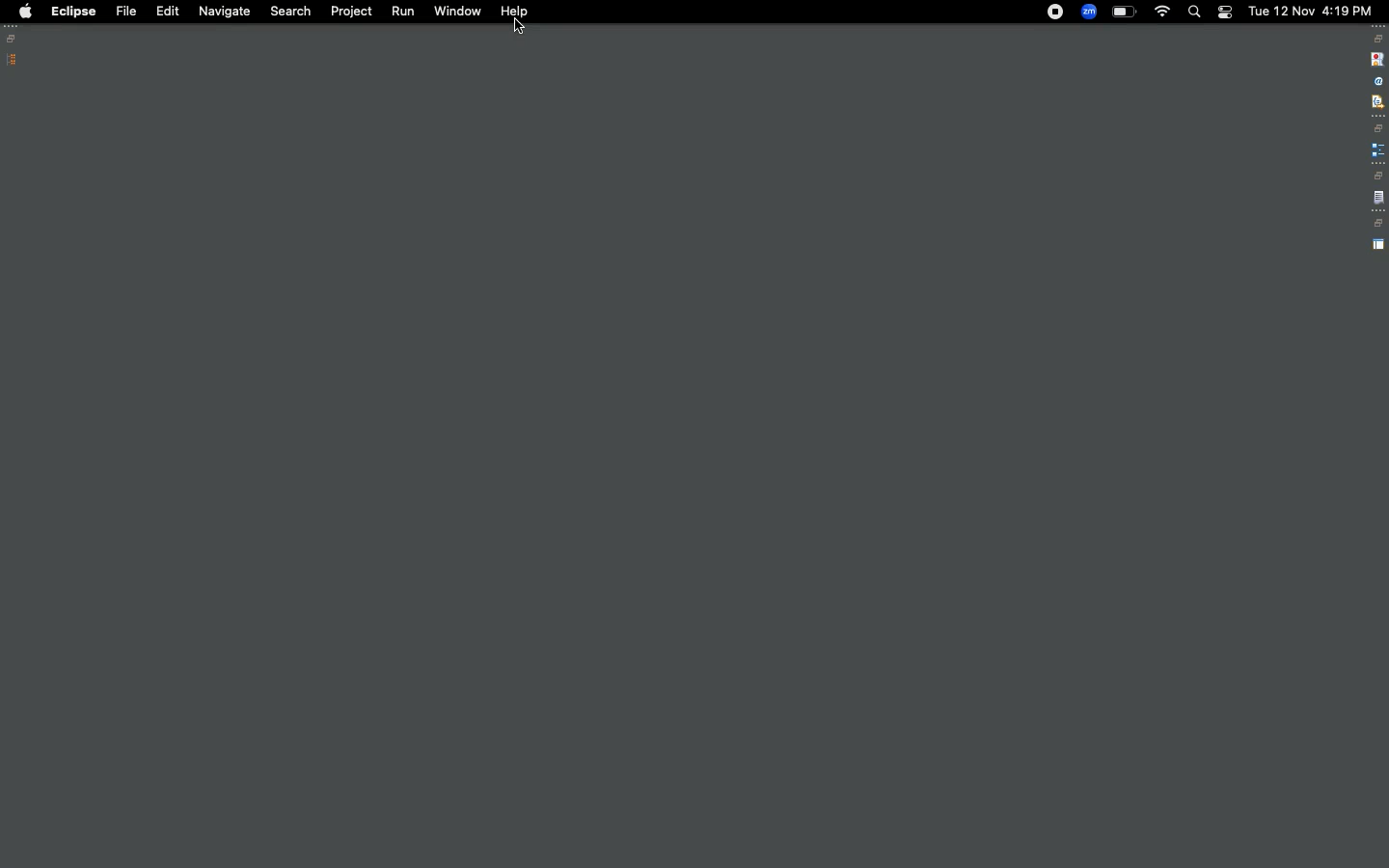 The image size is (1389, 868). What do you see at coordinates (1379, 128) in the screenshot?
I see `restore` at bounding box center [1379, 128].